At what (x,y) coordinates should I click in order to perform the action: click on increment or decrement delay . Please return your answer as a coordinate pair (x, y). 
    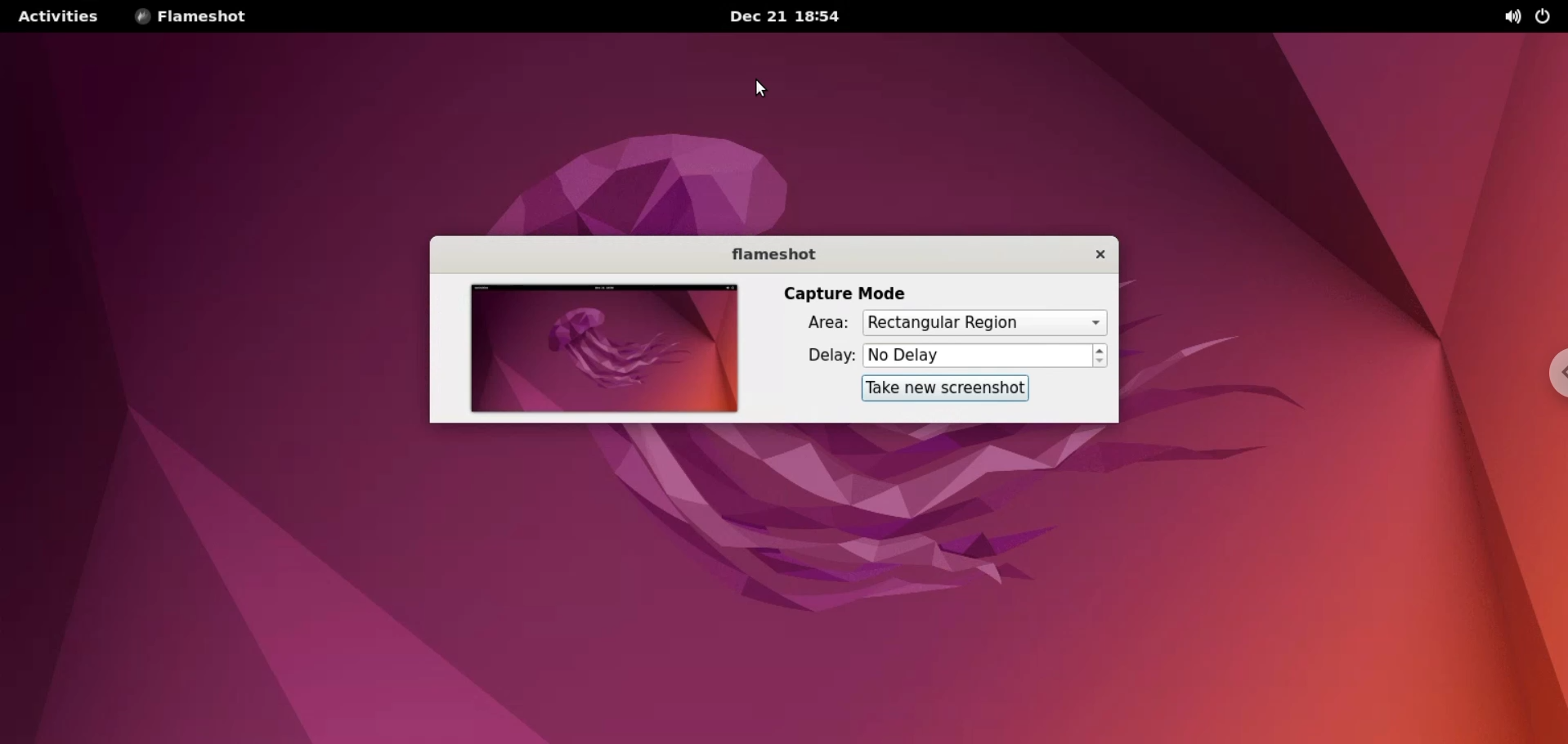
    Looking at the image, I should click on (1102, 356).